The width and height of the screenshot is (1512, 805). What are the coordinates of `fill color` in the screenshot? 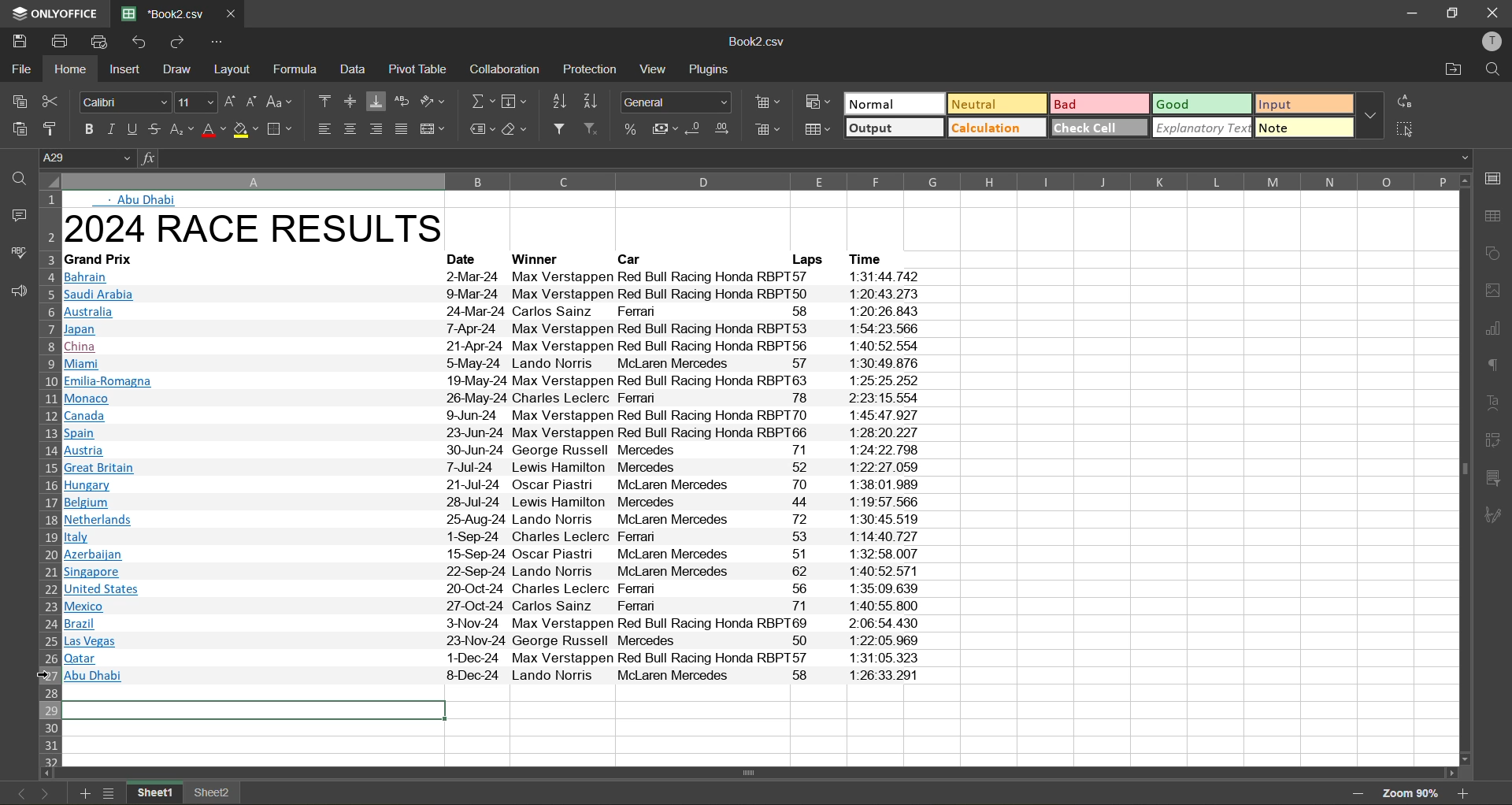 It's located at (246, 129).